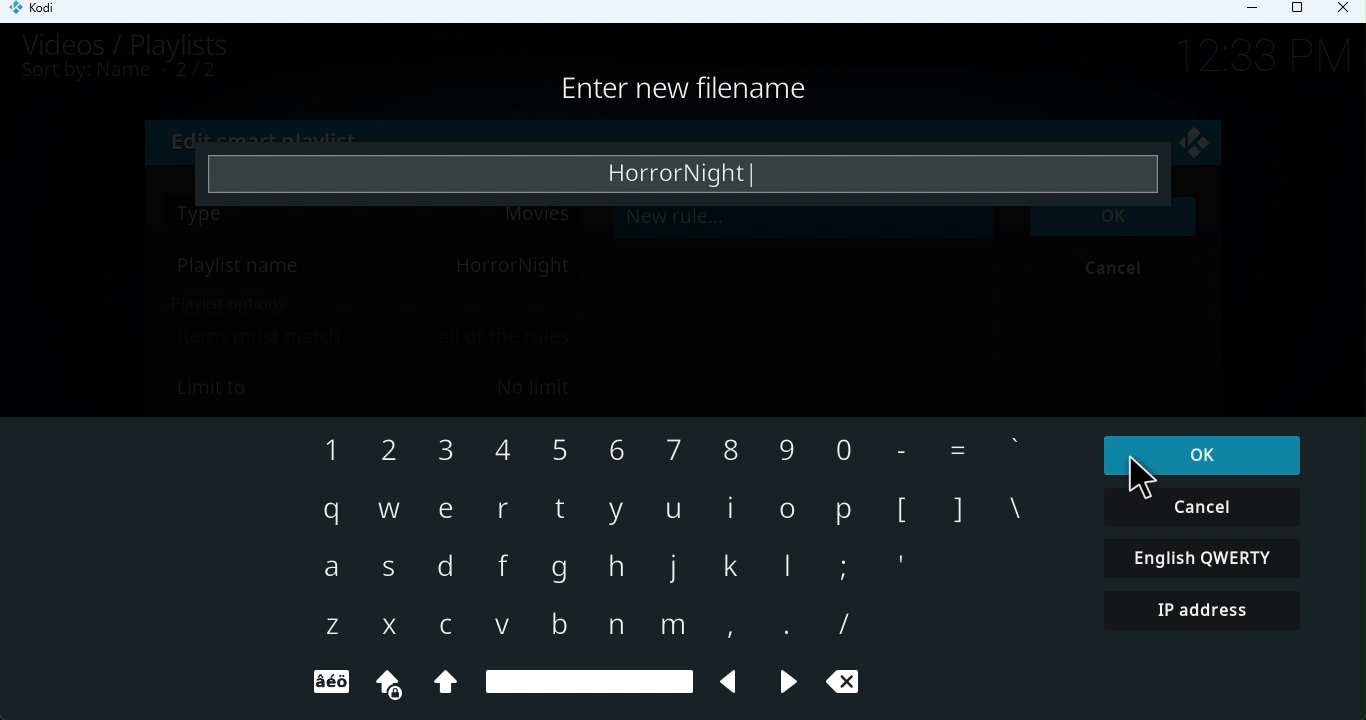 This screenshot has height=720, width=1366. Describe the element at coordinates (1143, 478) in the screenshot. I see `Cursor` at that location.